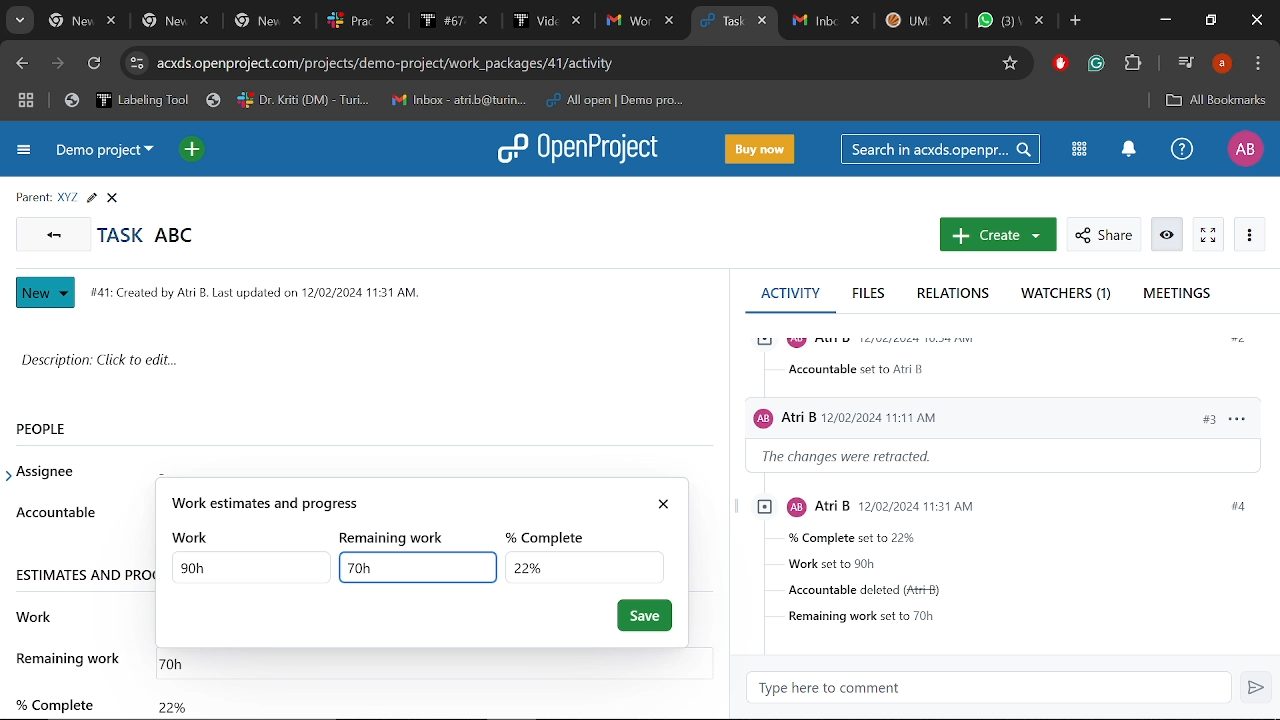  I want to click on Others tabs, so click(363, 21).